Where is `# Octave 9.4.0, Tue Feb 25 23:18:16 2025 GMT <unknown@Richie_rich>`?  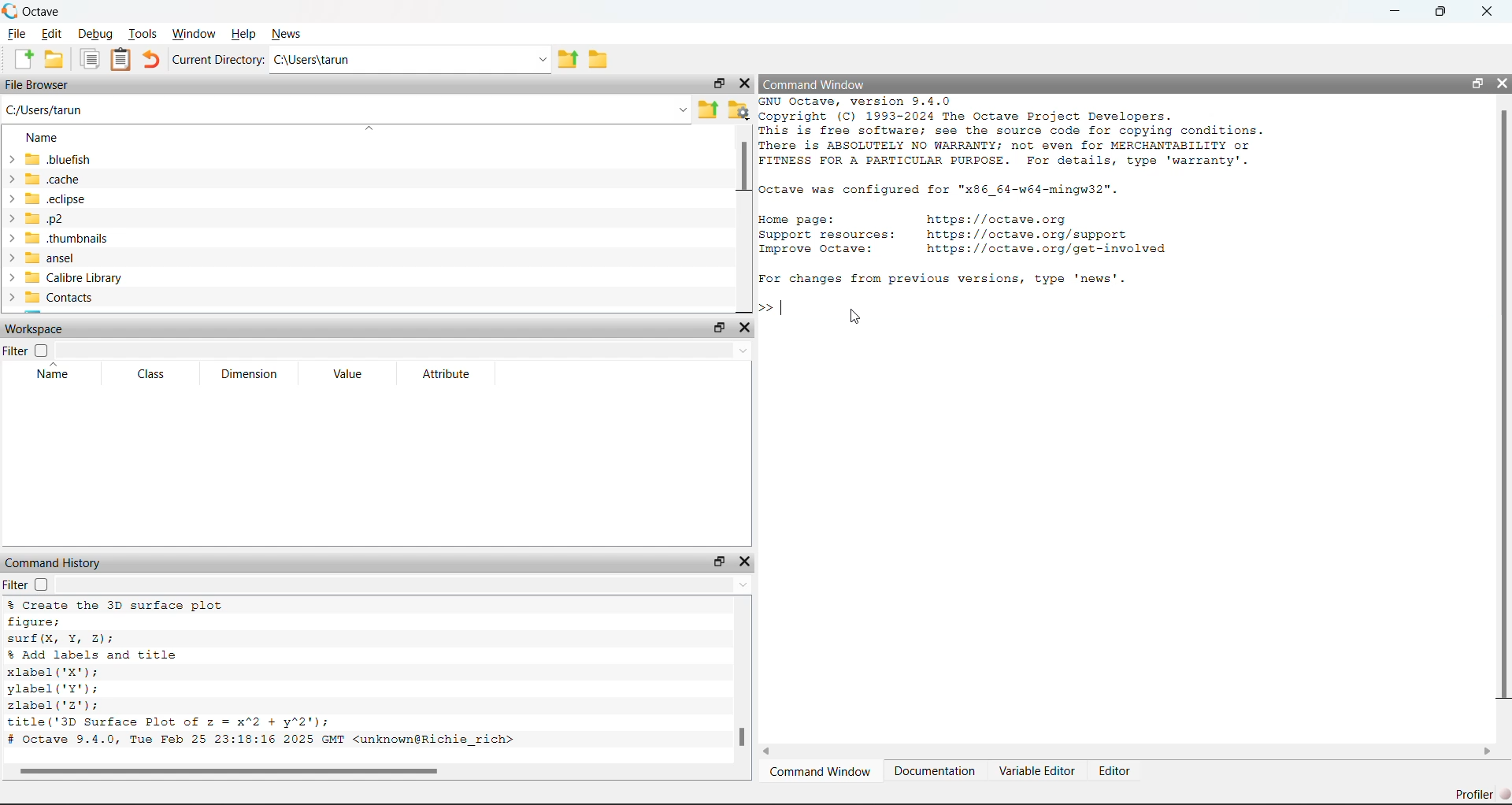 # Octave 9.4.0, Tue Feb 25 23:18:16 2025 GMT <unknown@Richie_rich> is located at coordinates (267, 741).